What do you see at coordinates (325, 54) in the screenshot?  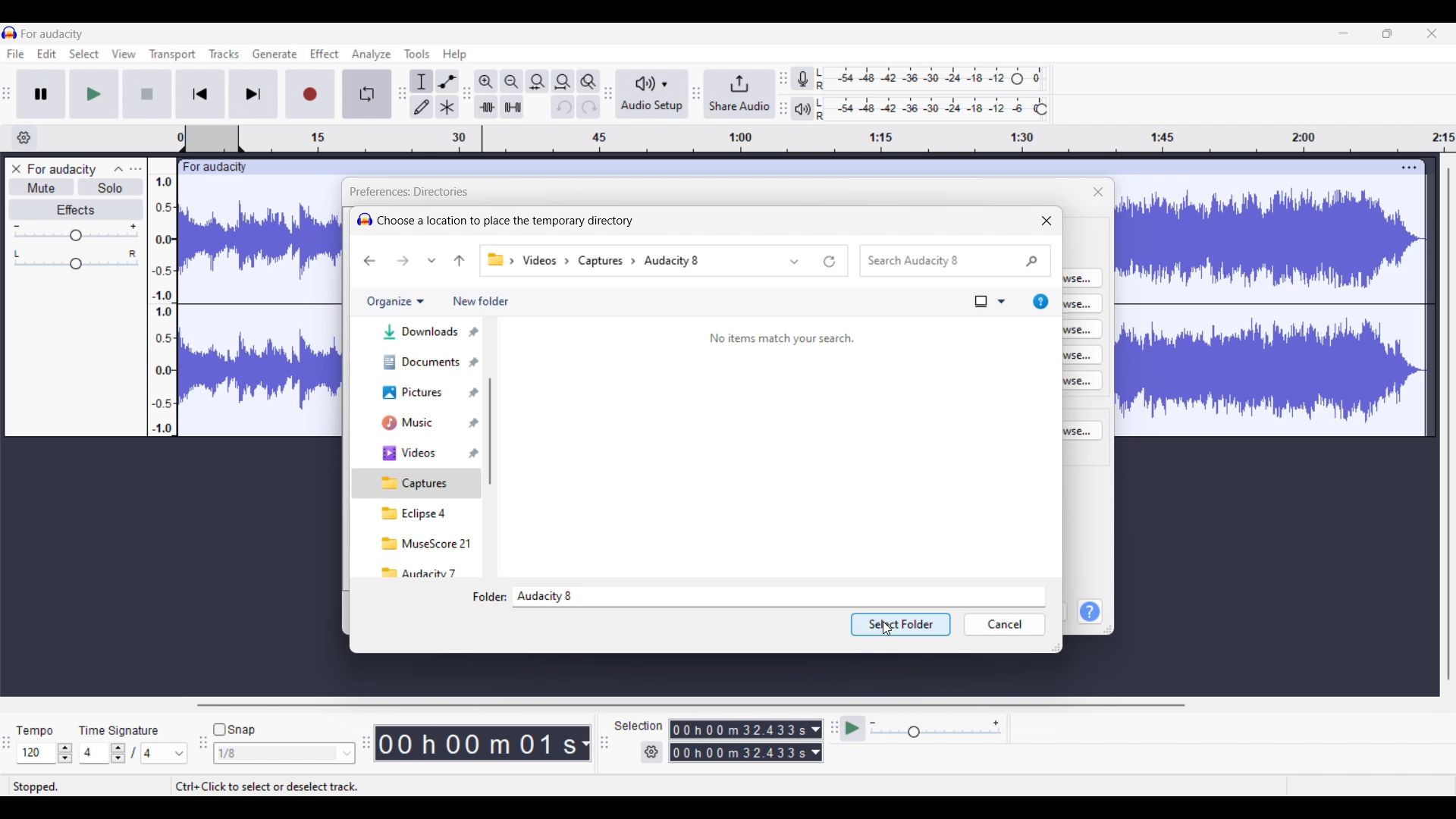 I see `Effect menu` at bounding box center [325, 54].